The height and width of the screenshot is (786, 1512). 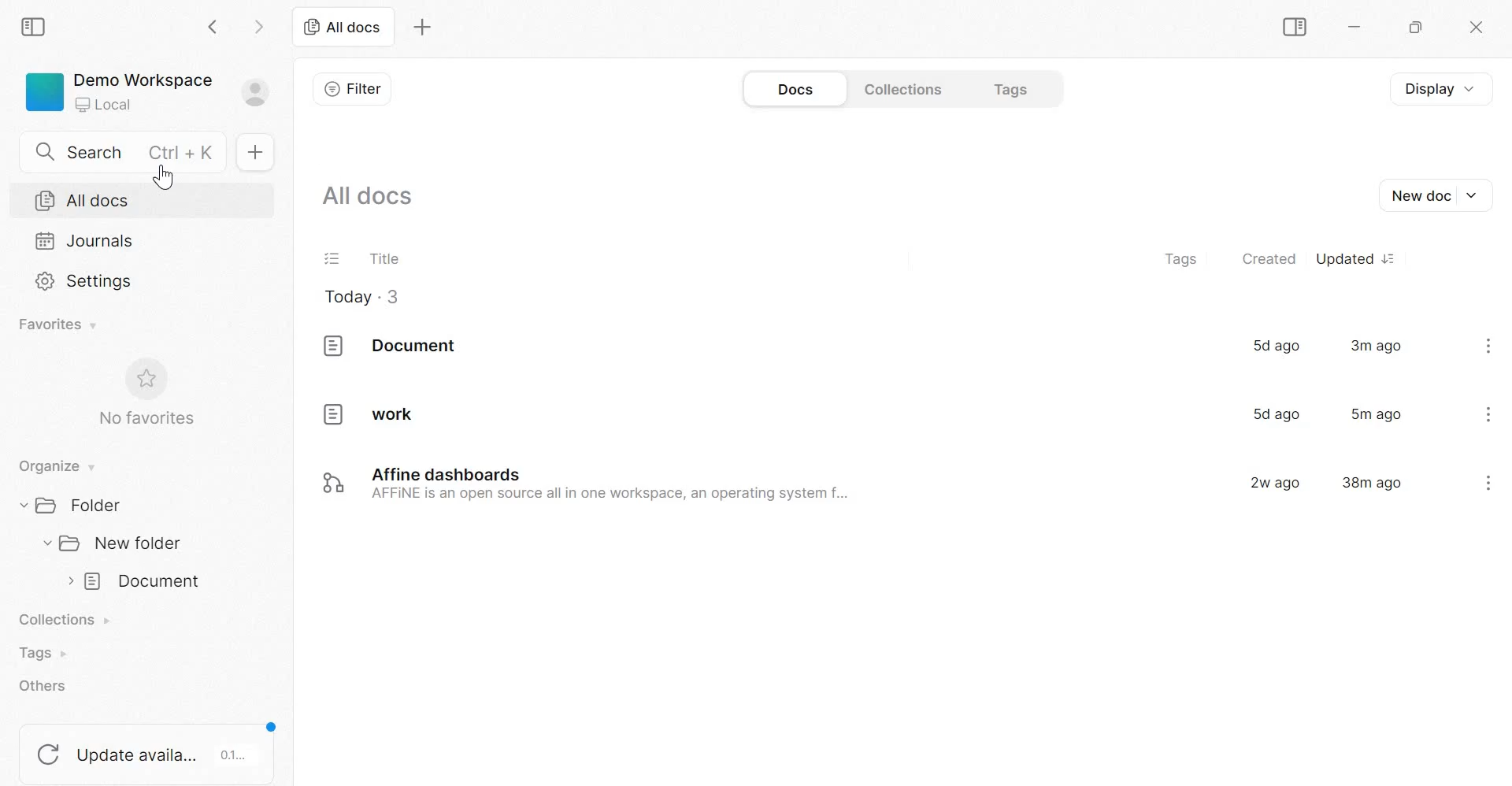 What do you see at coordinates (54, 467) in the screenshot?
I see `Organize` at bounding box center [54, 467].